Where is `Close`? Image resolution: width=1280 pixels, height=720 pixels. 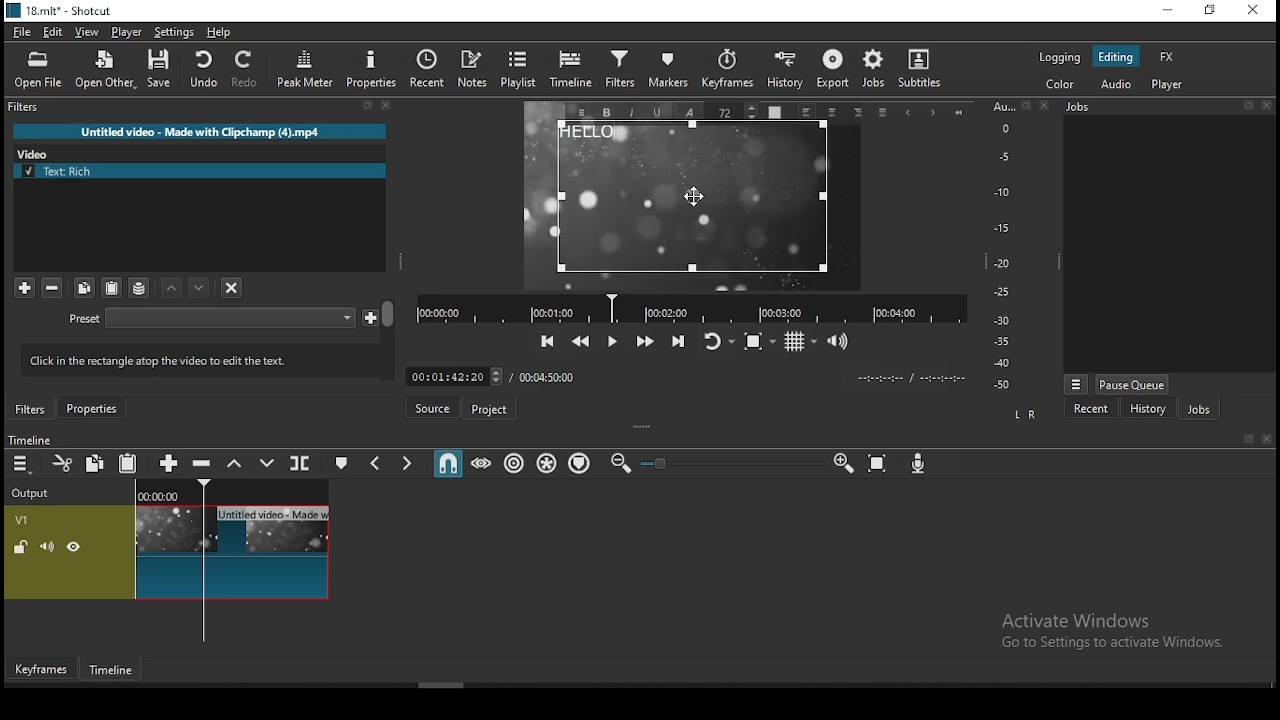
Close is located at coordinates (387, 105).